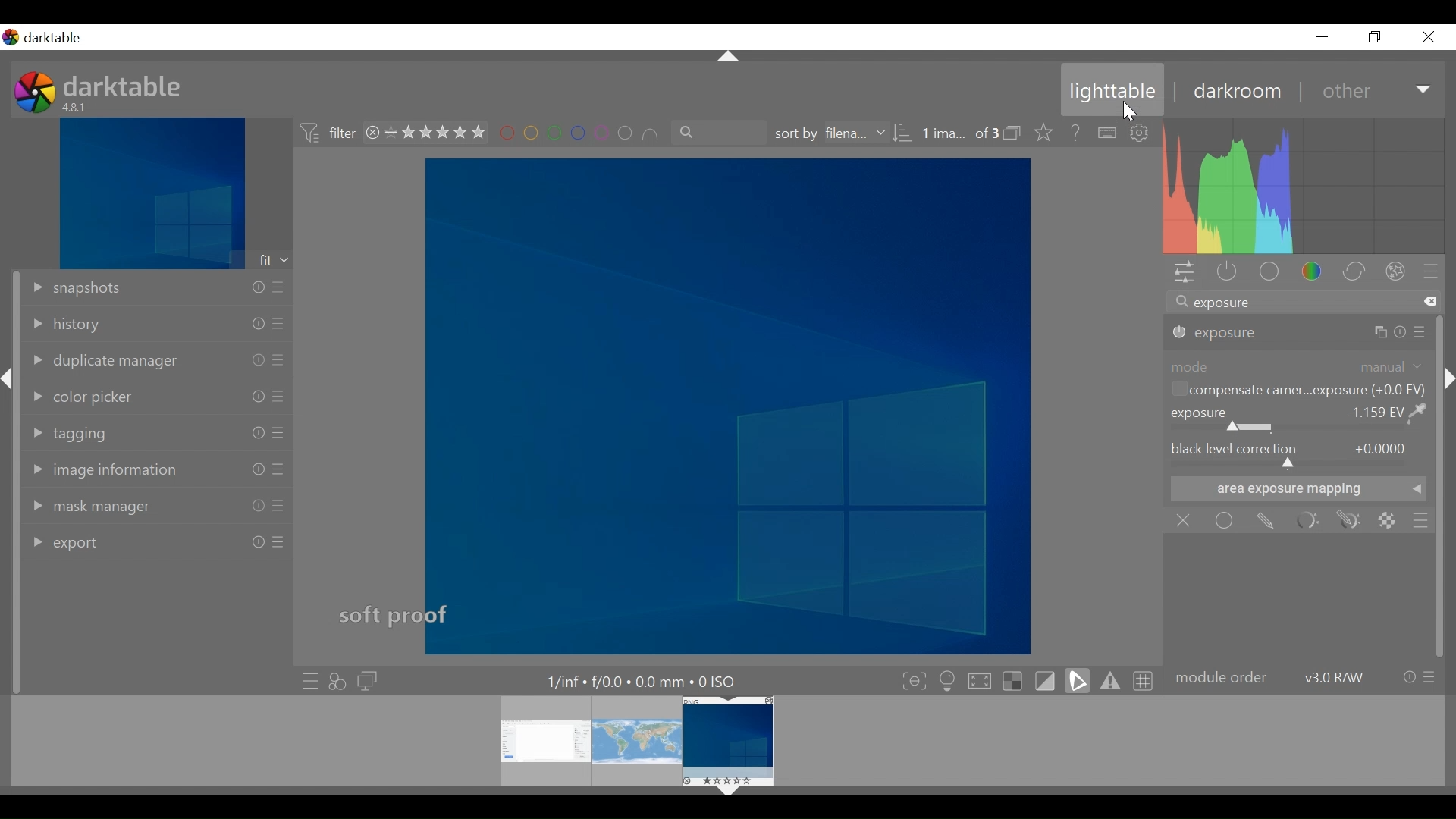  I want to click on show global preferences, so click(1141, 134).